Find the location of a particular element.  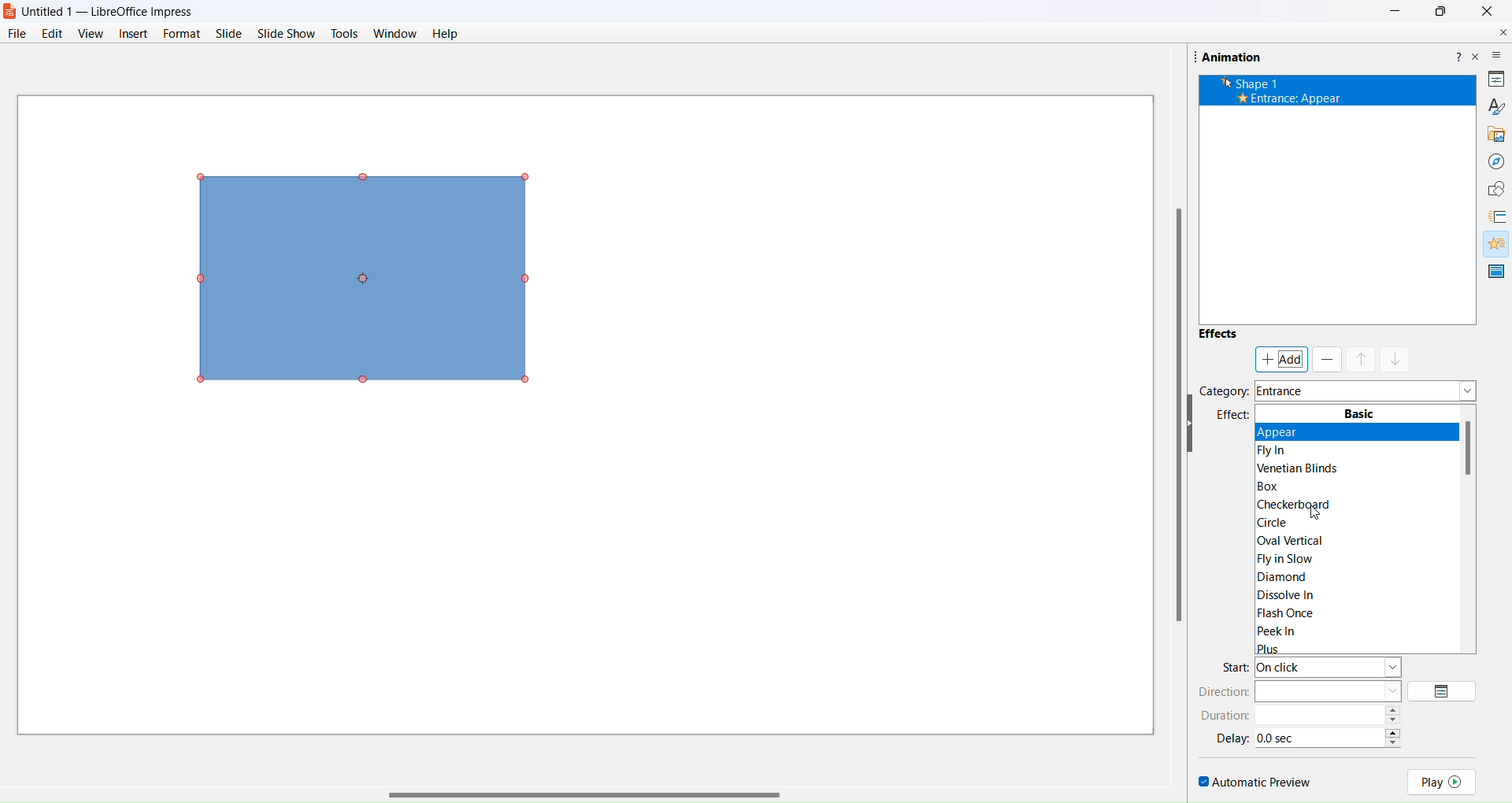

gallery is located at coordinates (1493, 134).